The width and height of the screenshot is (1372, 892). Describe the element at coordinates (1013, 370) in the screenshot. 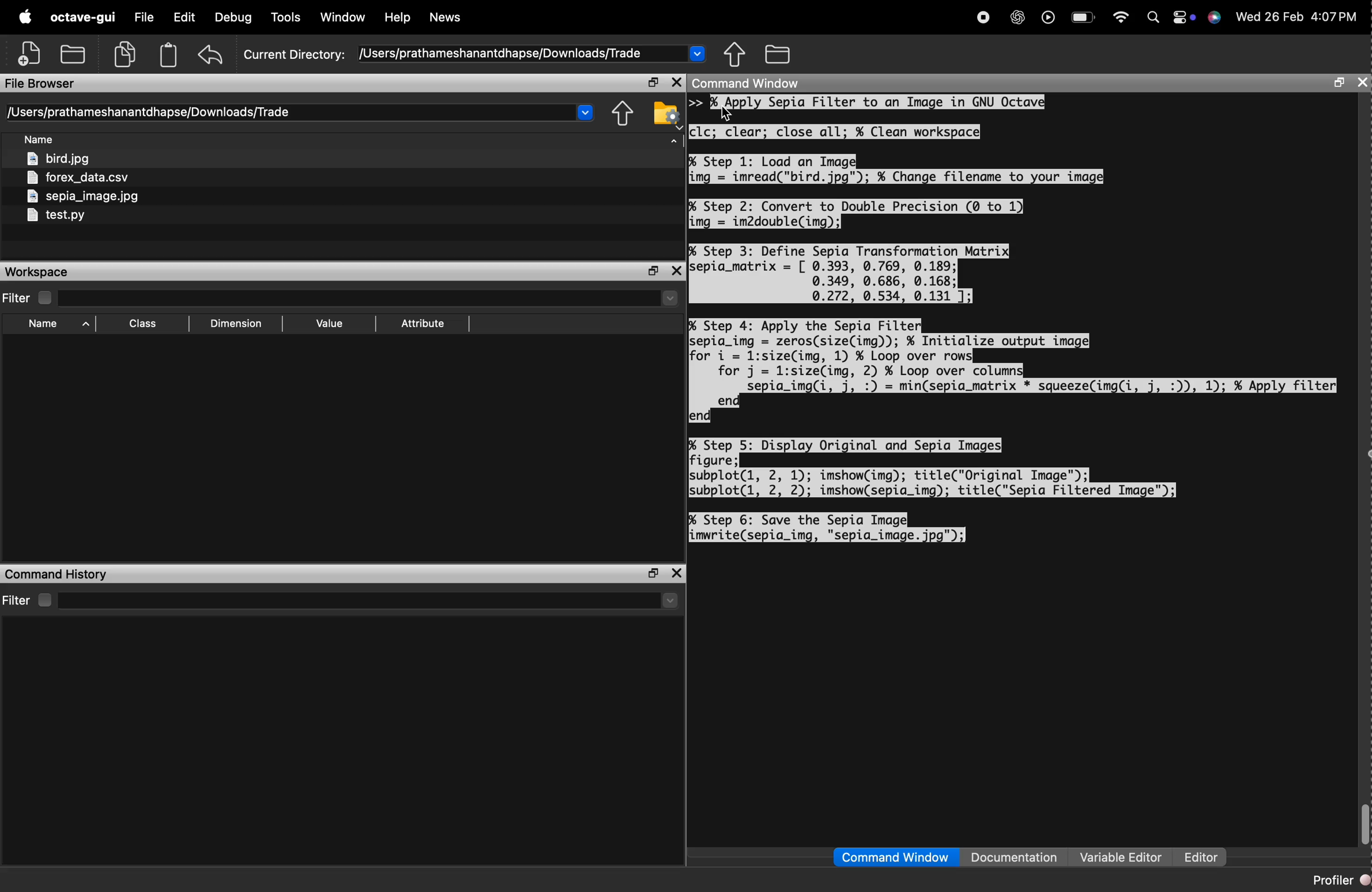

I see `% Step 4: Apply the Sepia Filte
sepia_img = zeros(size(img)); % Initialize output image
for i = 1:size(img, 1) % Loop over rows
for j = 1:size(img, 2) % Loop over column
sepia_img(i, j, :) = min(sepia_matrix * squeeze(img(i, j, :)), 1); % Apply filter
ena
end` at that location.